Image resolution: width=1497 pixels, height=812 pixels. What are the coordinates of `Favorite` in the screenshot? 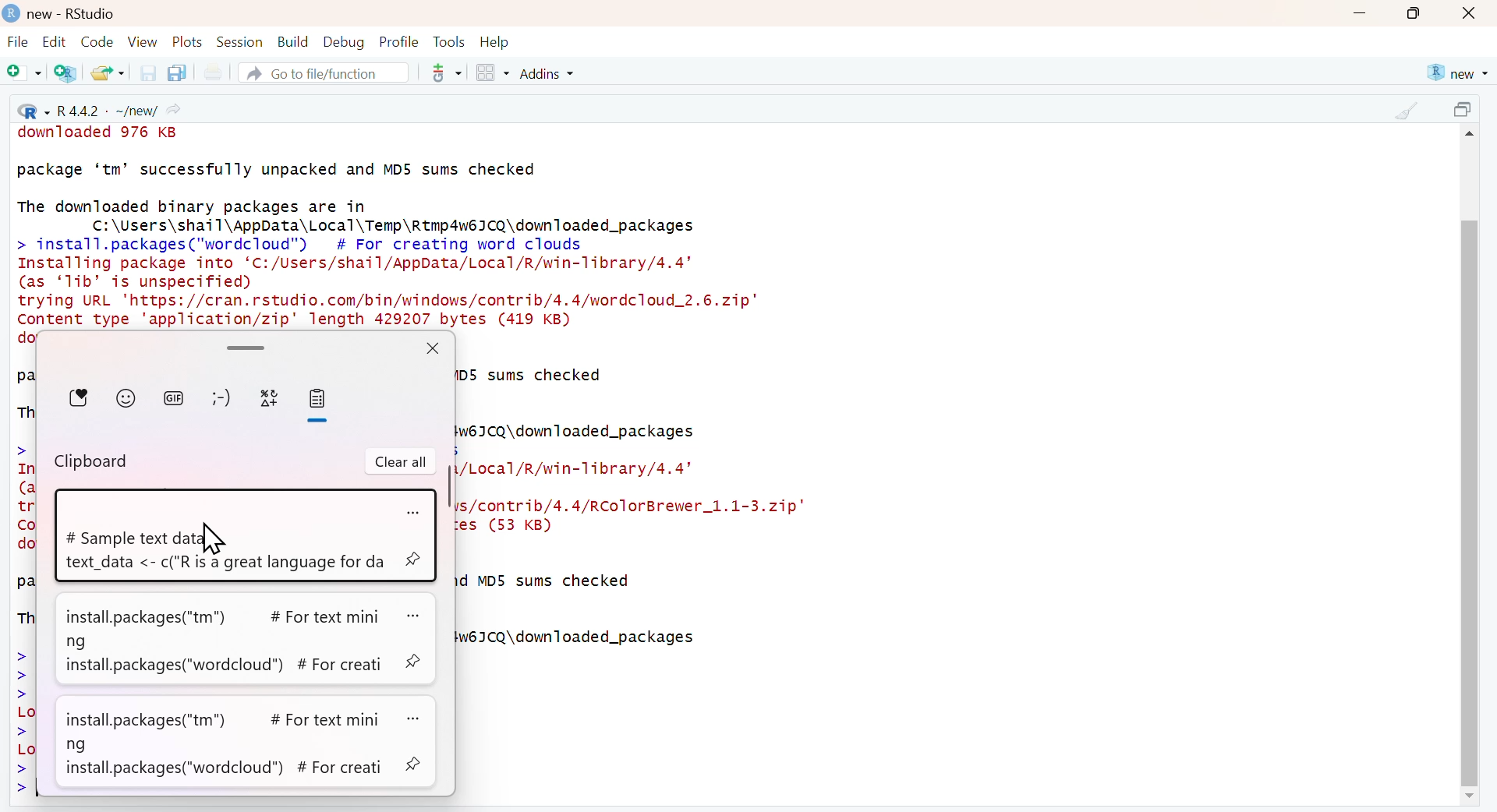 It's located at (81, 398).